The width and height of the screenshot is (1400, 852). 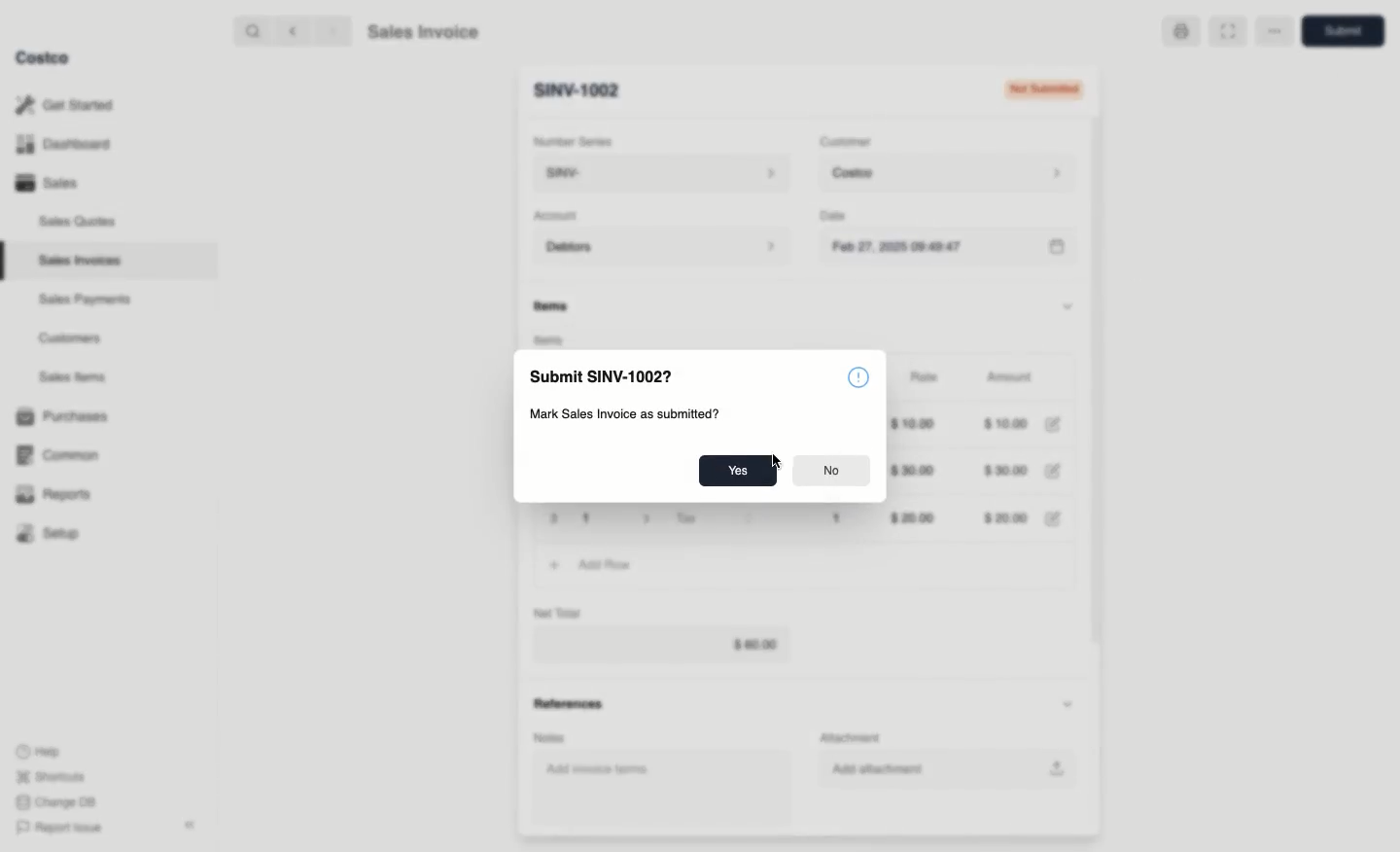 I want to click on Purchases, so click(x=63, y=416).